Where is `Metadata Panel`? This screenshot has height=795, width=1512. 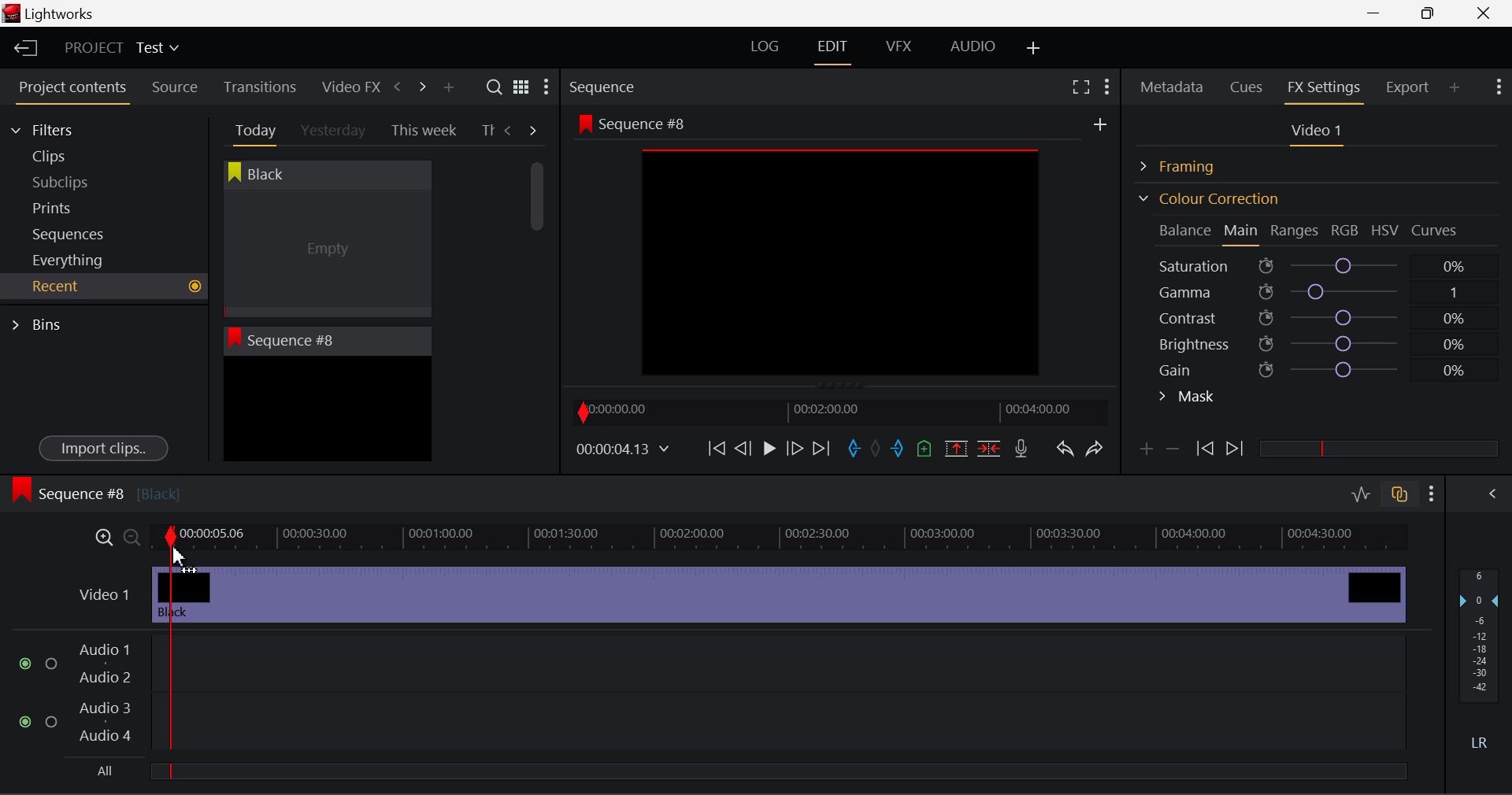
Metadata Panel is located at coordinates (1173, 84).